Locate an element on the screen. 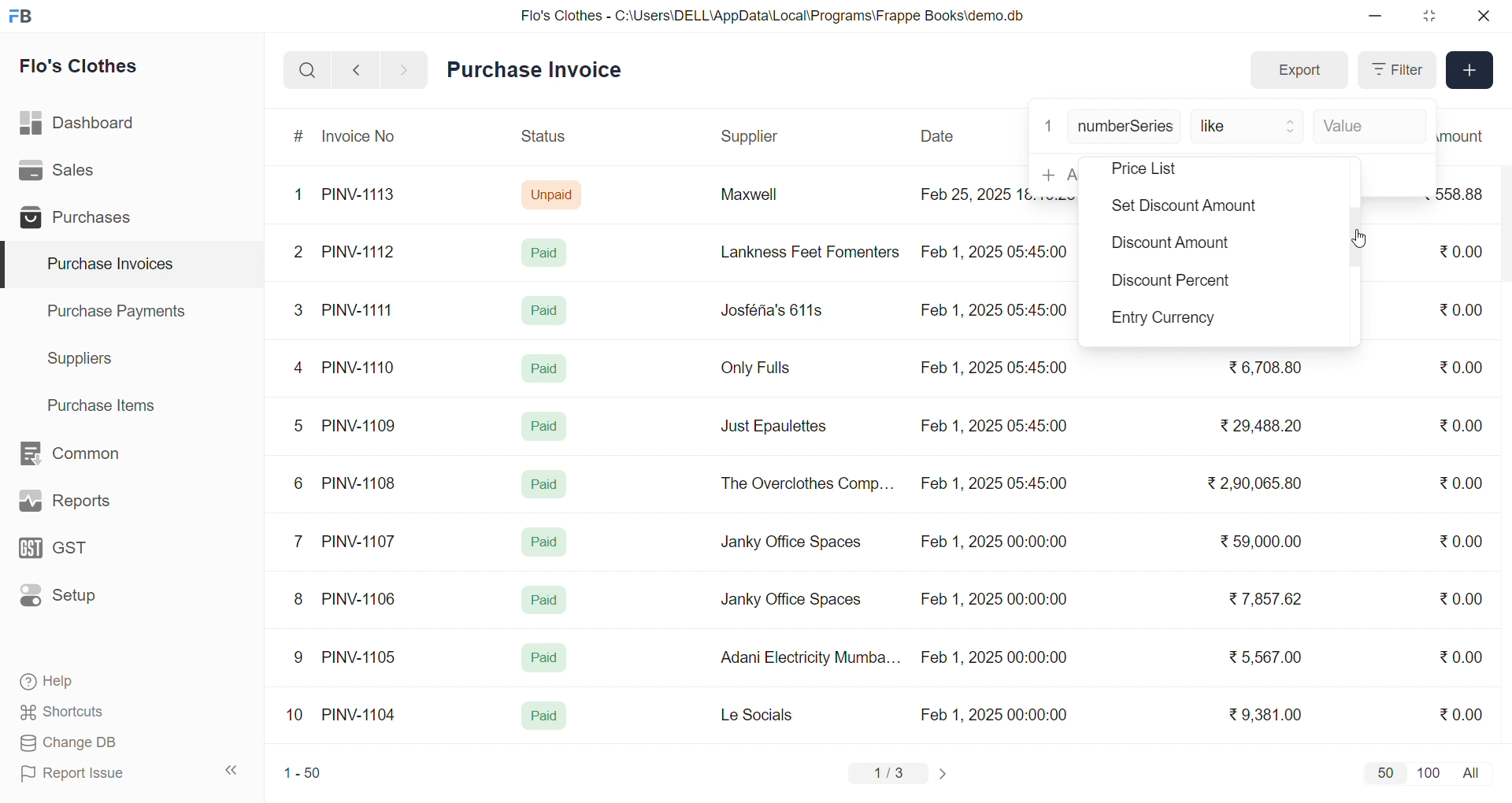 The image size is (1512, 803). all is located at coordinates (1474, 772).